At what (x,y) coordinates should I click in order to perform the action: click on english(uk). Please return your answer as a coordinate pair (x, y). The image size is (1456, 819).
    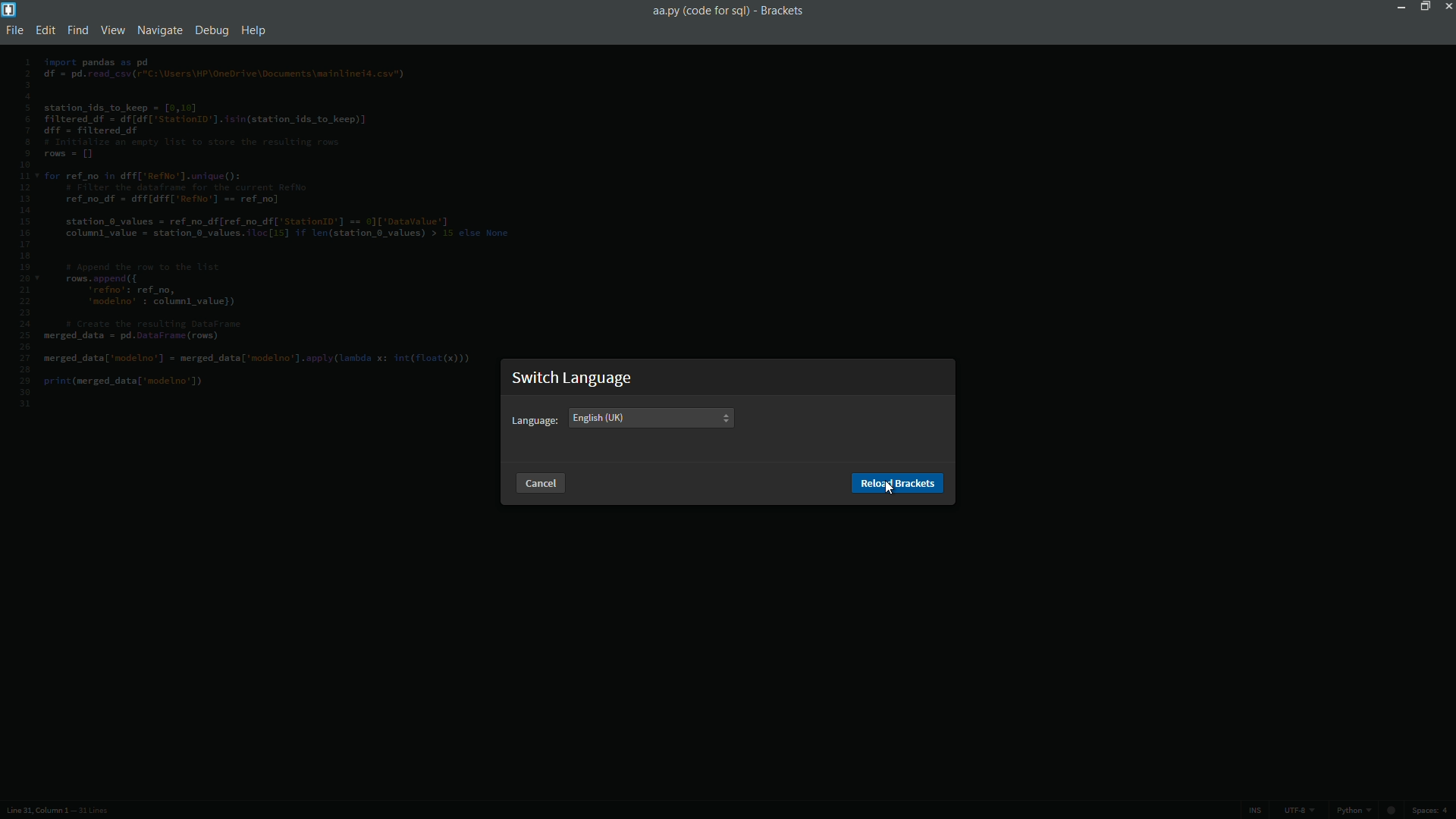
    Looking at the image, I should click on (599, 417).